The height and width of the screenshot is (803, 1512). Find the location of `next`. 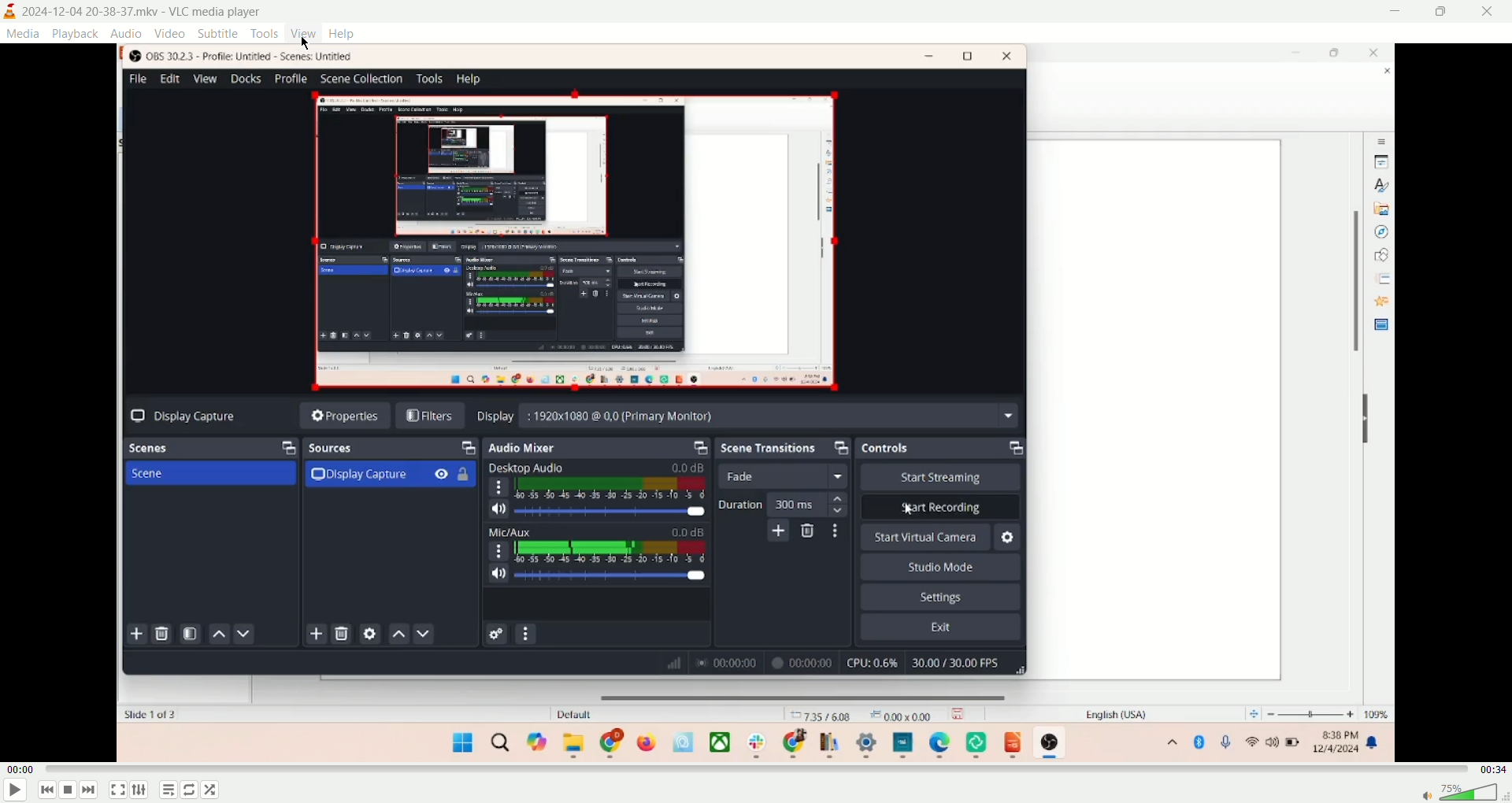

next is located at coordinates (92, 791).